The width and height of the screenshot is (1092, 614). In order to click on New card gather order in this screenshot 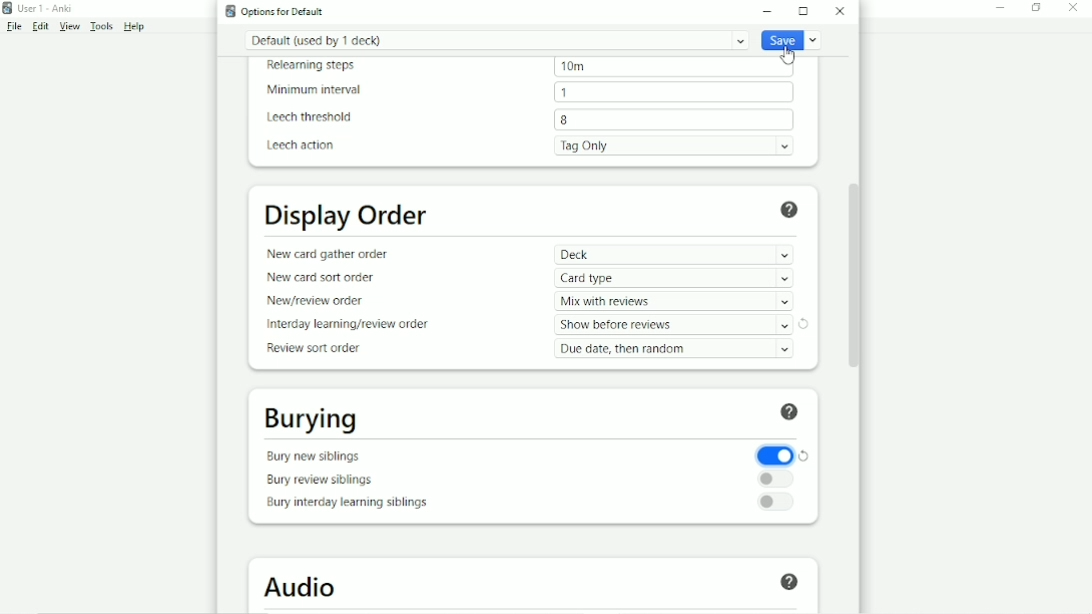, I will do `click(330, 254)`.